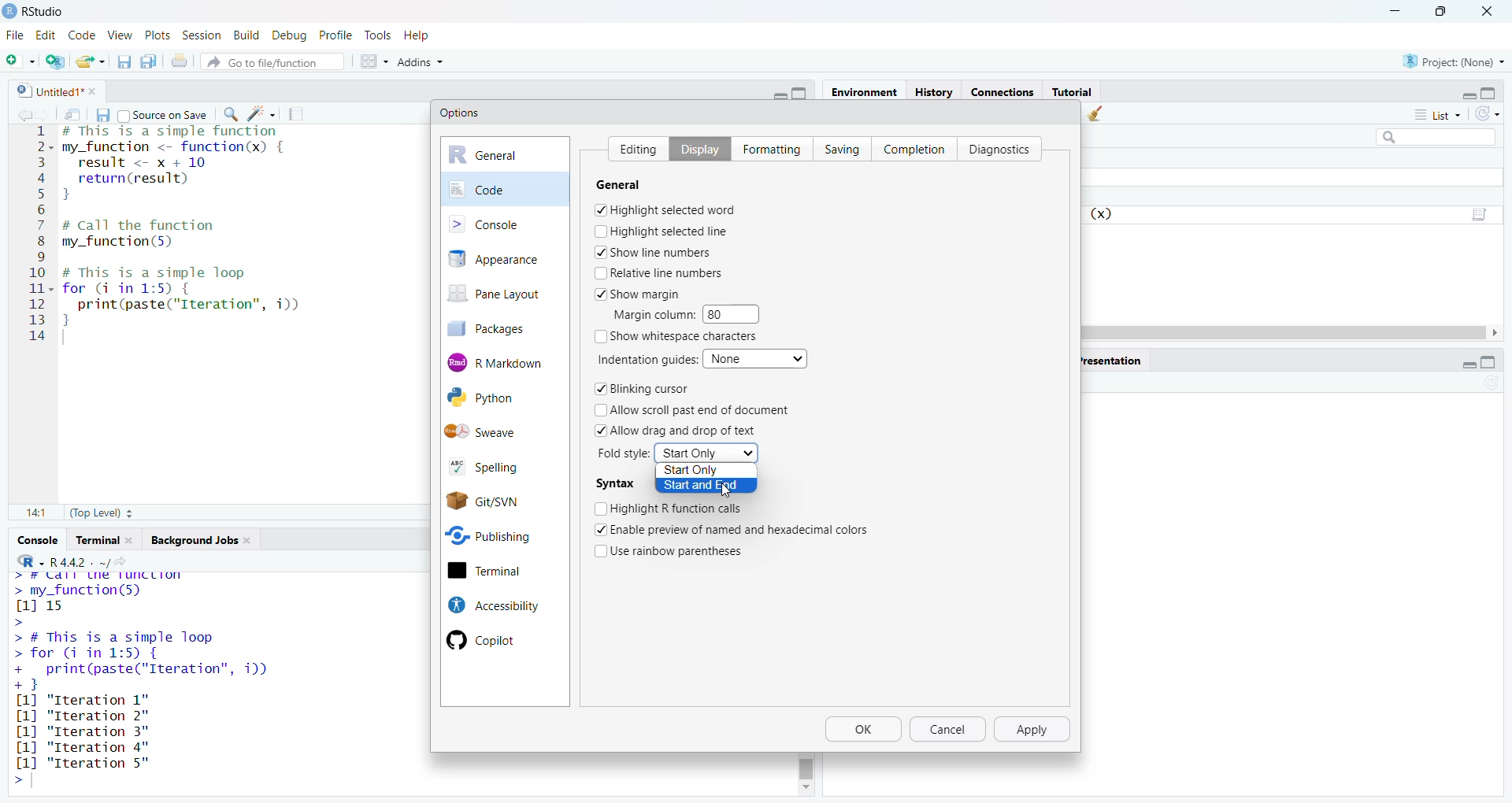 Image resolution: width=1512 pixels, height=803 pixels. What do you see at coordinates (42, 90) in the screenshot?
I see `untitled` at bounding box center [42, 90].